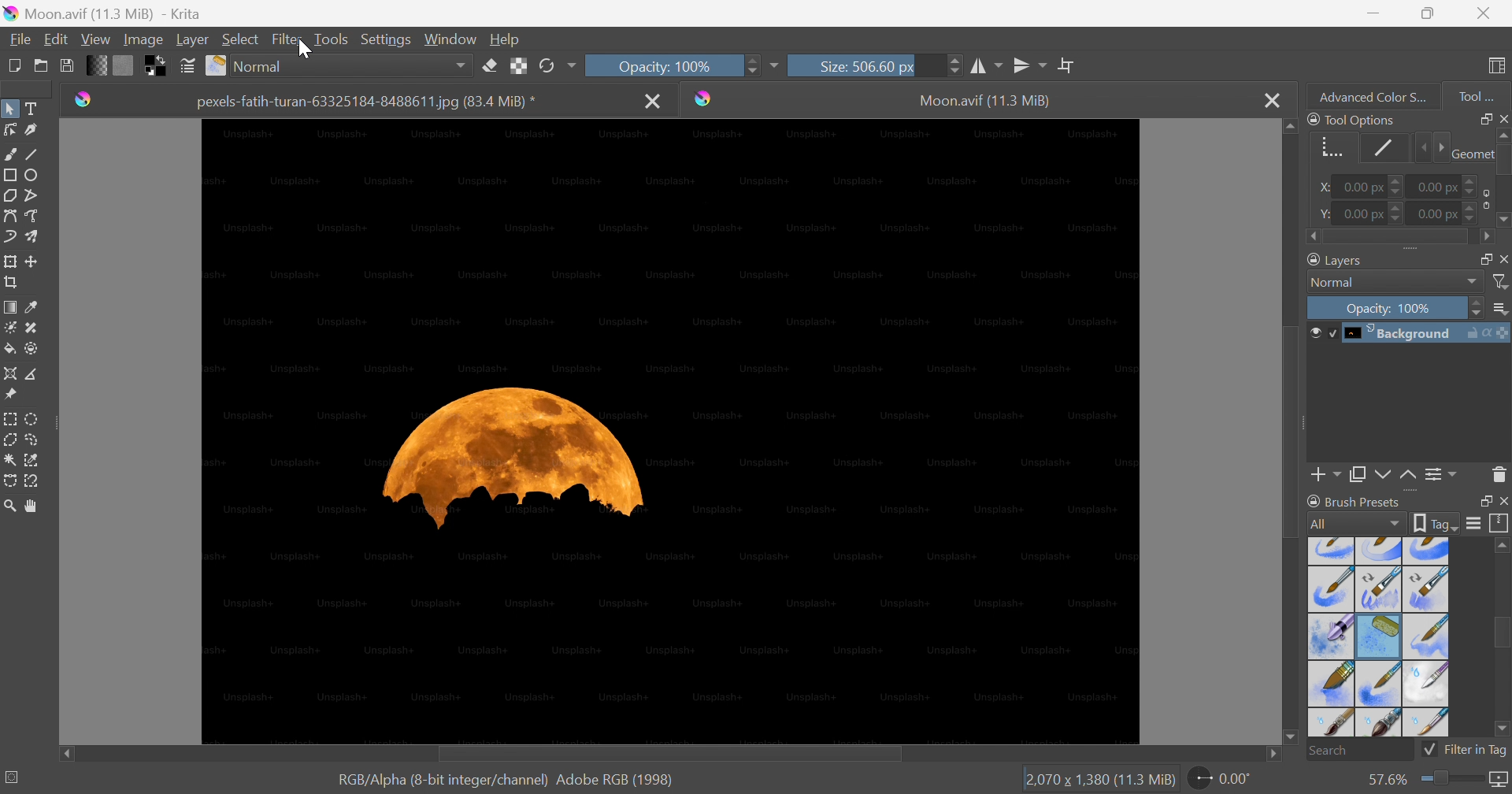  I want to click on Krita icon, so click(80, 102).